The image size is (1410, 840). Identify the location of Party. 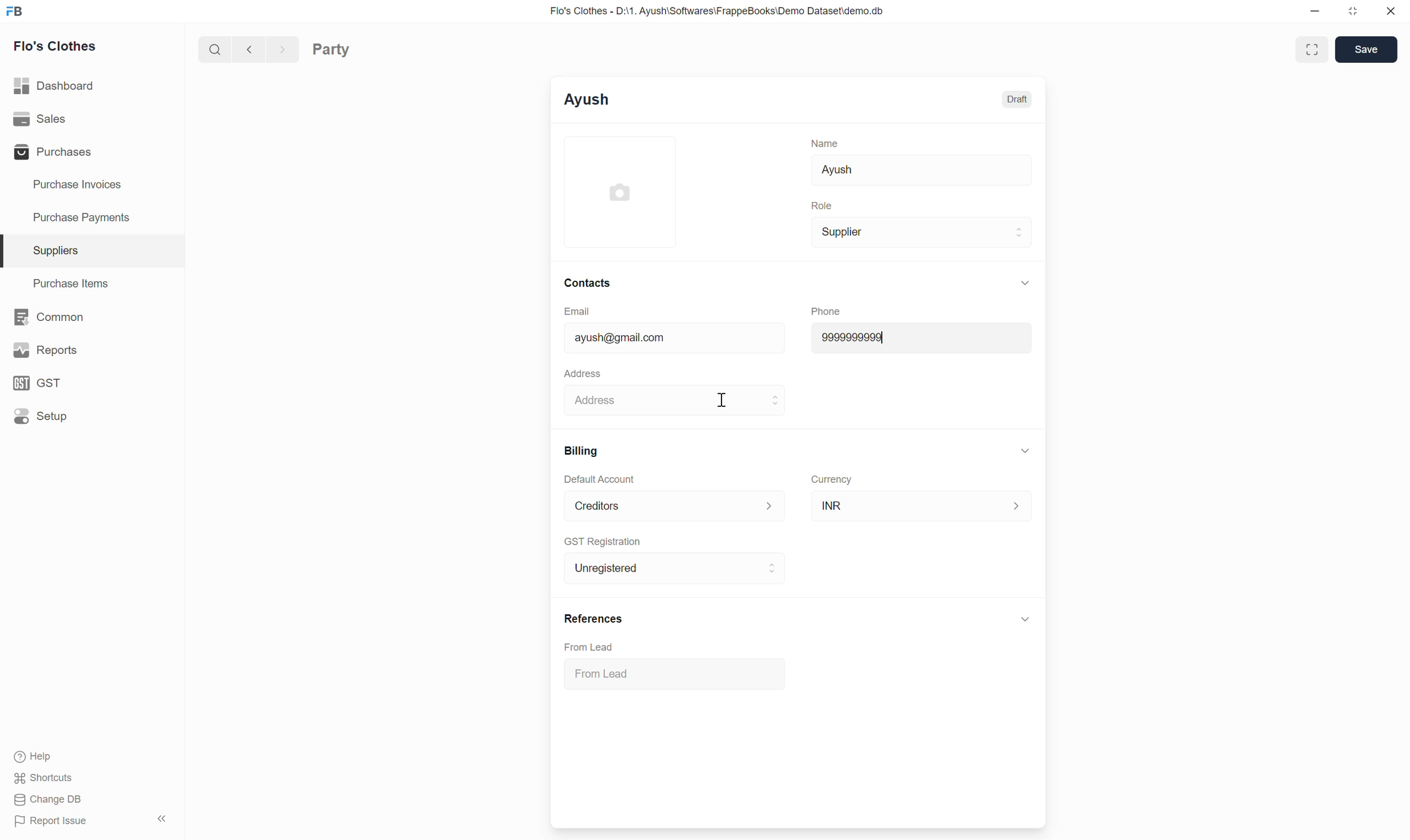
(331, 49).